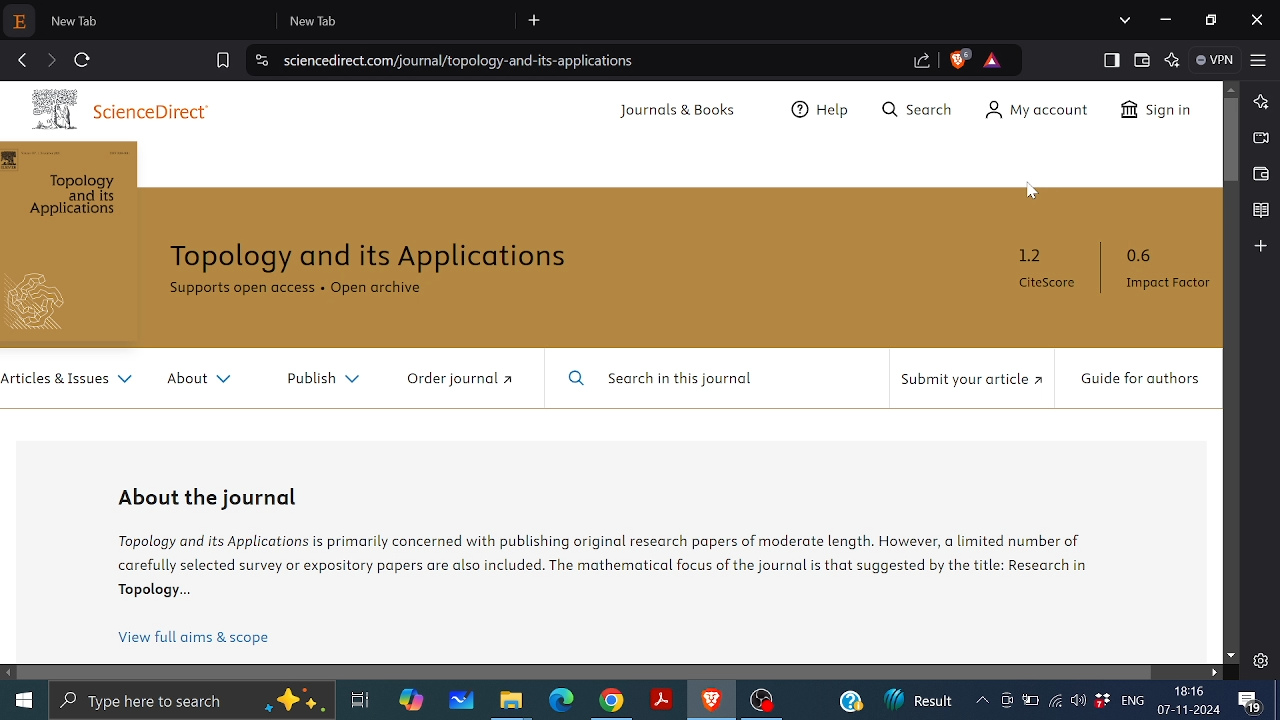 The width and height of the screenshot is (1280, 720). Describe the element at coordinates (462, 60) in the screenshot. I see `Web address of the current tab` at that location.